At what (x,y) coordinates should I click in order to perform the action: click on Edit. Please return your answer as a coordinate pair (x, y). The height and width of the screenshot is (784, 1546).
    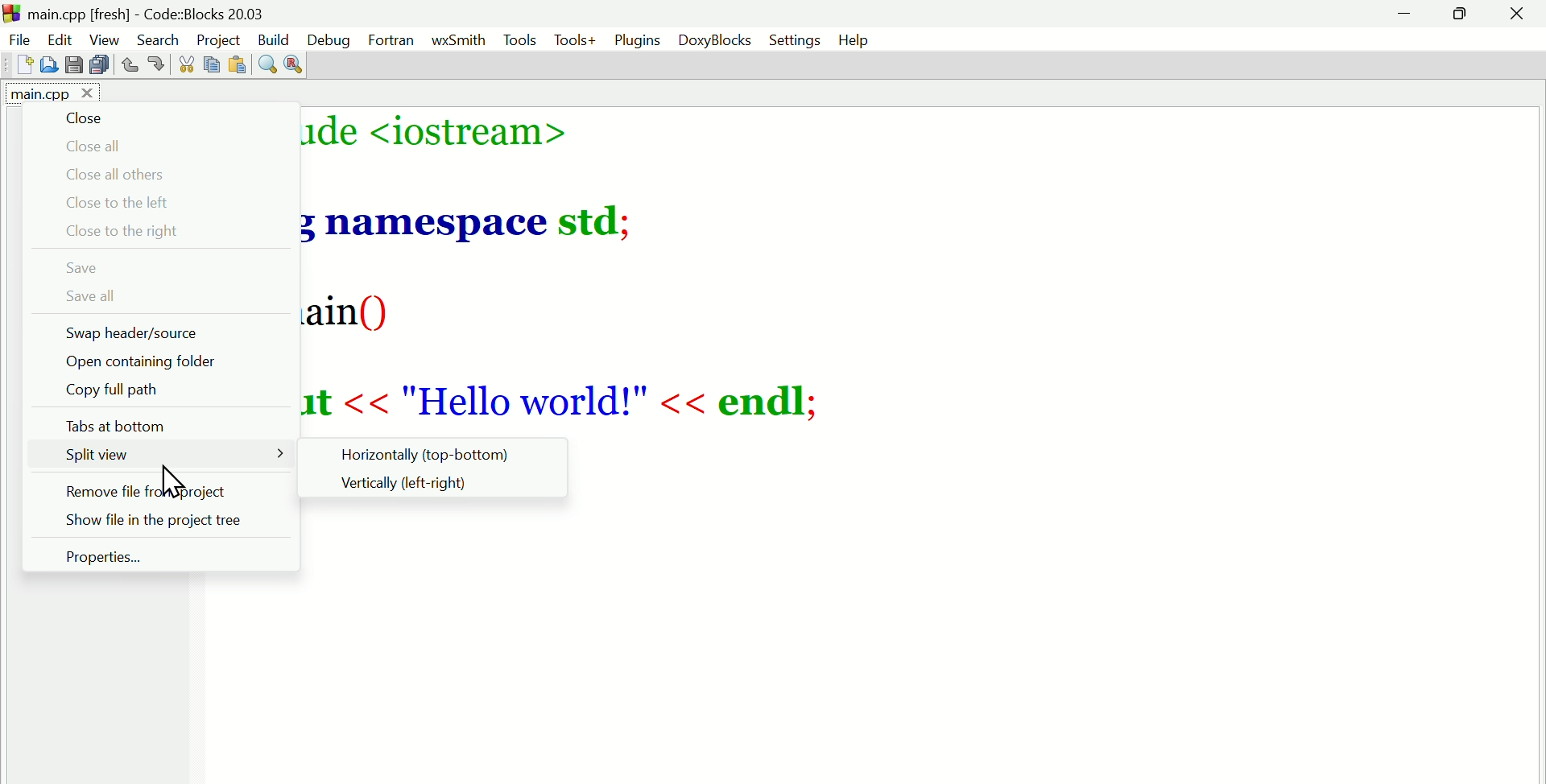
    Looking at the image, I should click on (62, 40).